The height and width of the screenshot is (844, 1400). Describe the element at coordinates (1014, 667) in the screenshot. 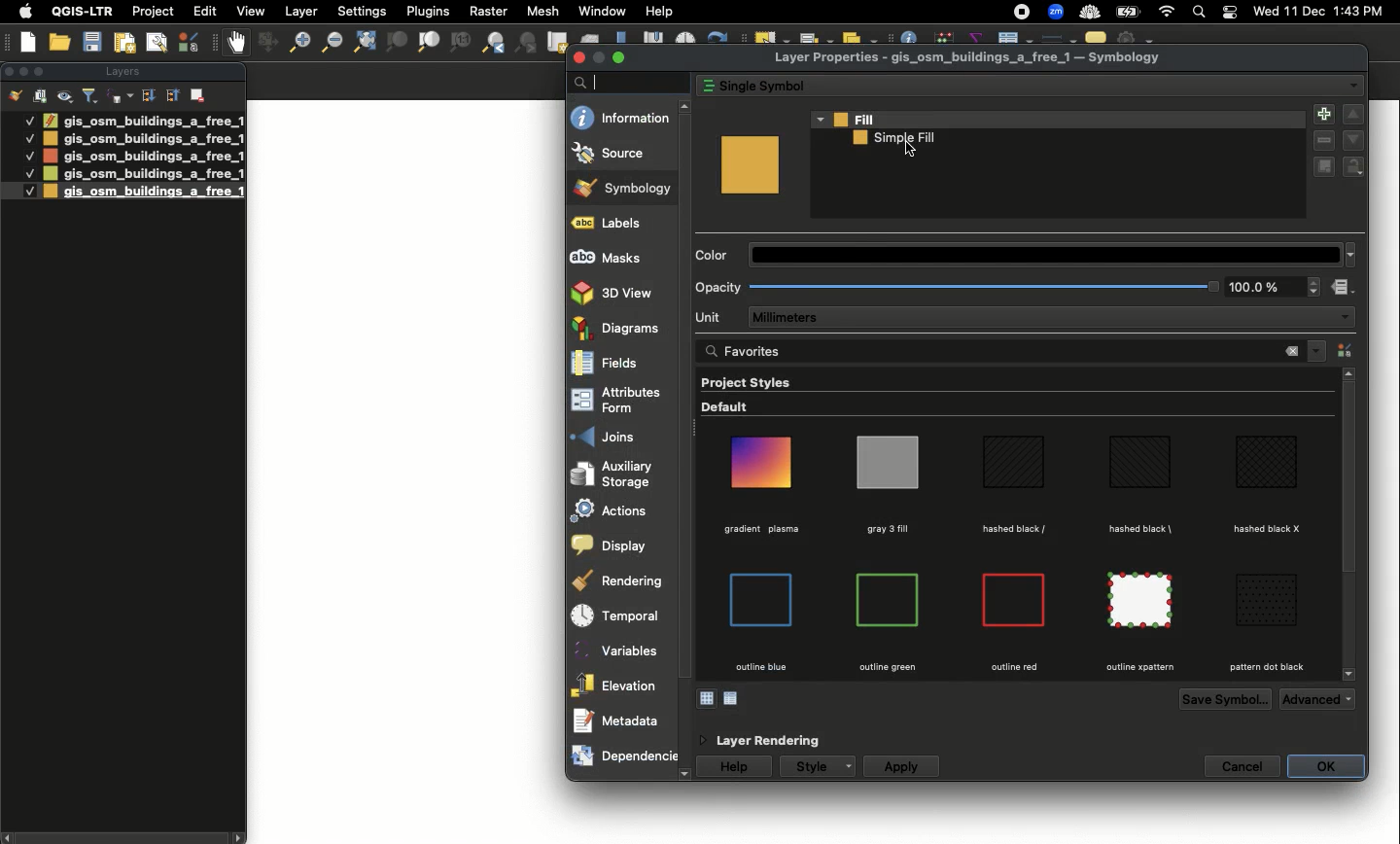

I see `‘outline red` at that location.